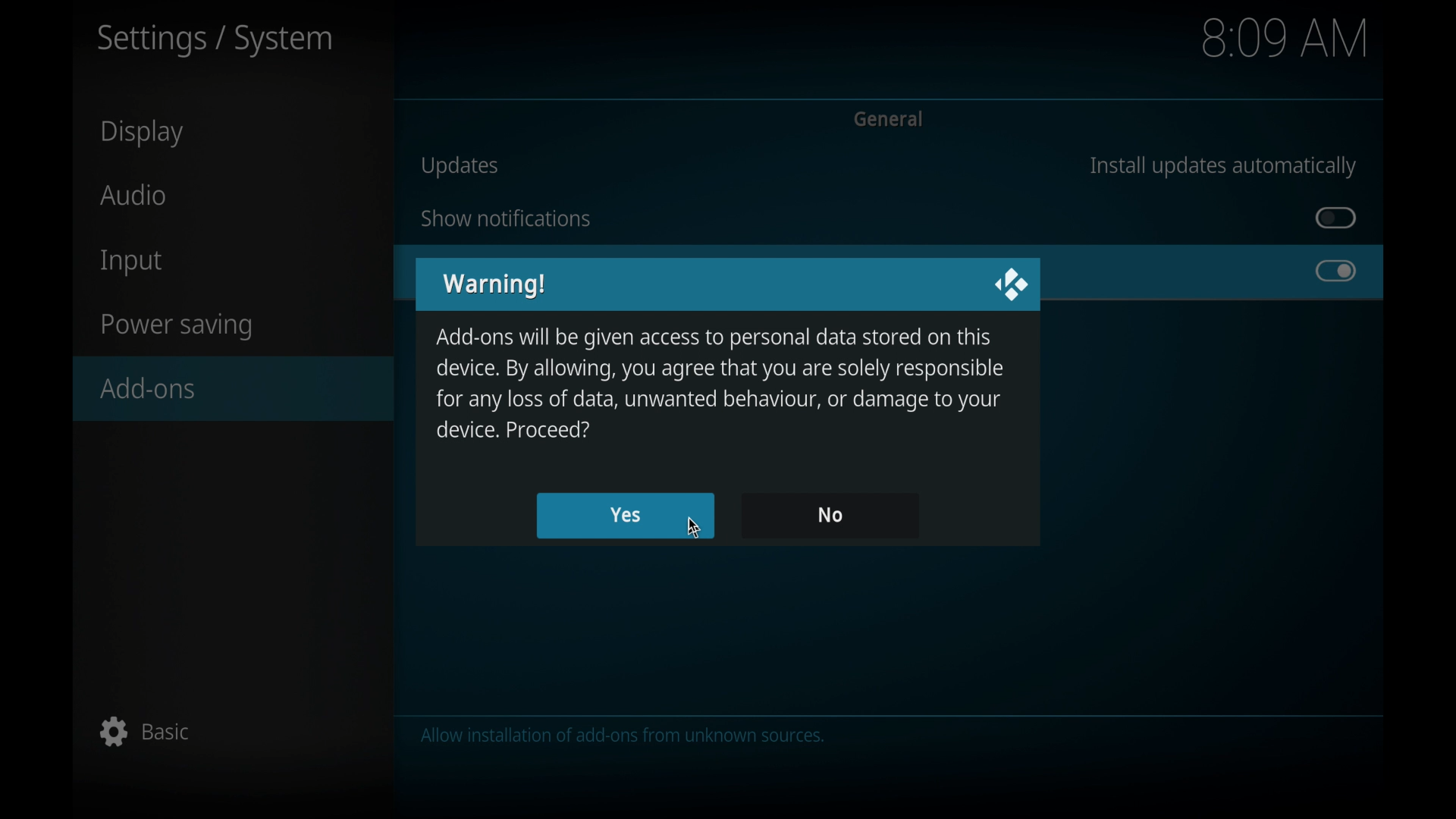 The image size is (1456, 819). I want to click on settings/system, so click(215, 41).